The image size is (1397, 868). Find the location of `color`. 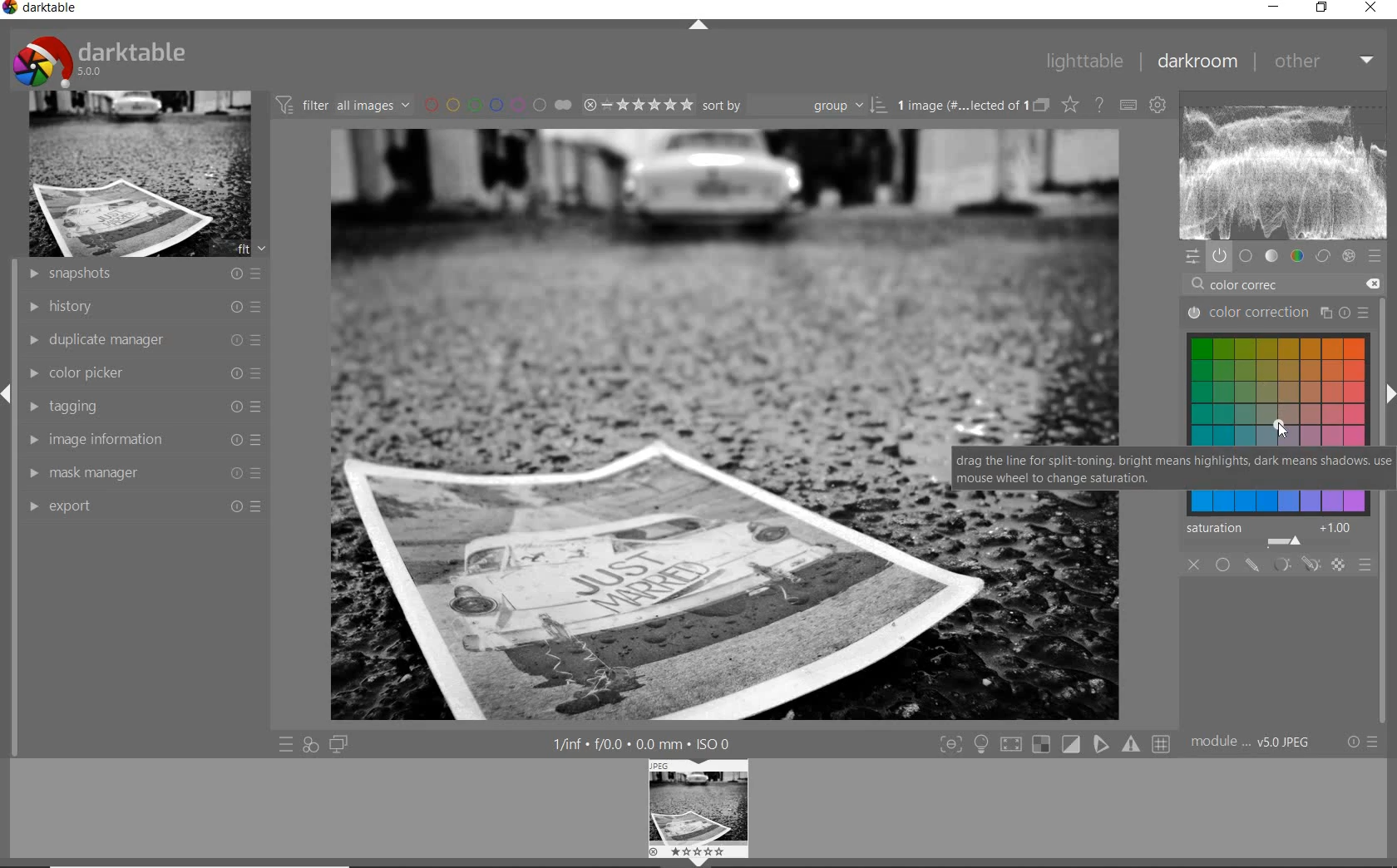

color is located at coordinates (1296, 257).